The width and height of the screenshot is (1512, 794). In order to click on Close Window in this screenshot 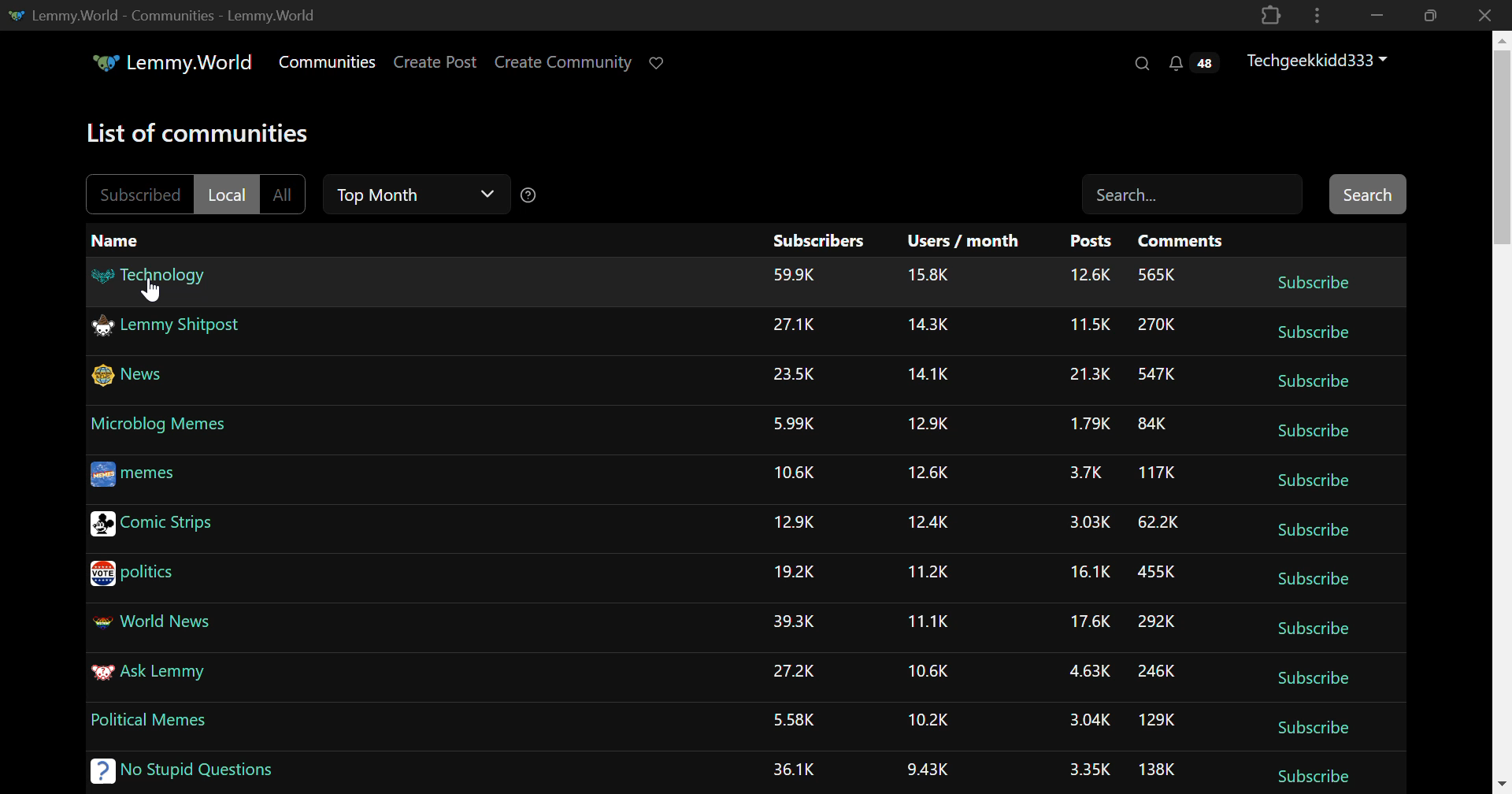, I will do `click(1480, 16)`.